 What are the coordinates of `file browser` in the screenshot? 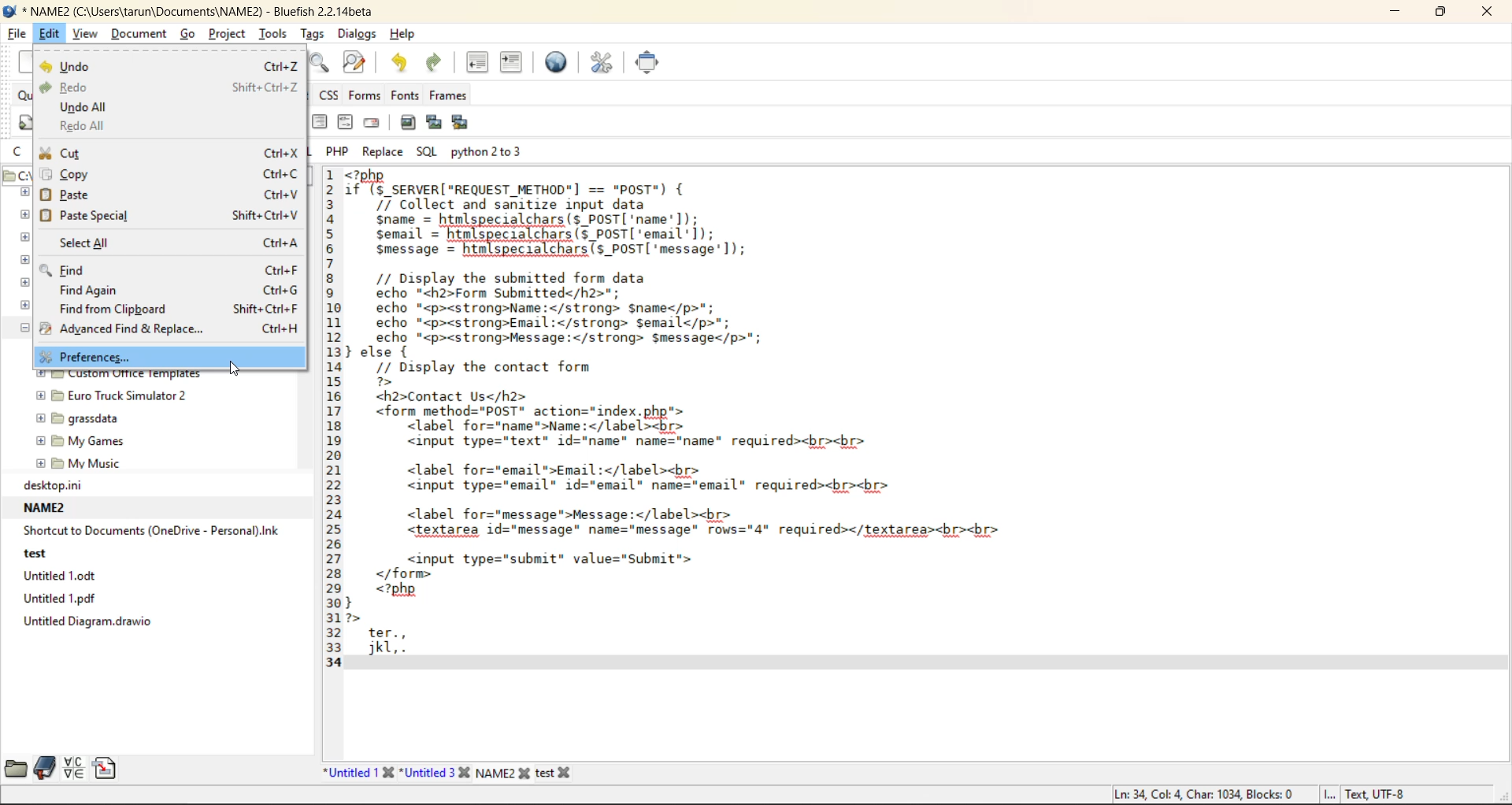 It's located at (13, 770).